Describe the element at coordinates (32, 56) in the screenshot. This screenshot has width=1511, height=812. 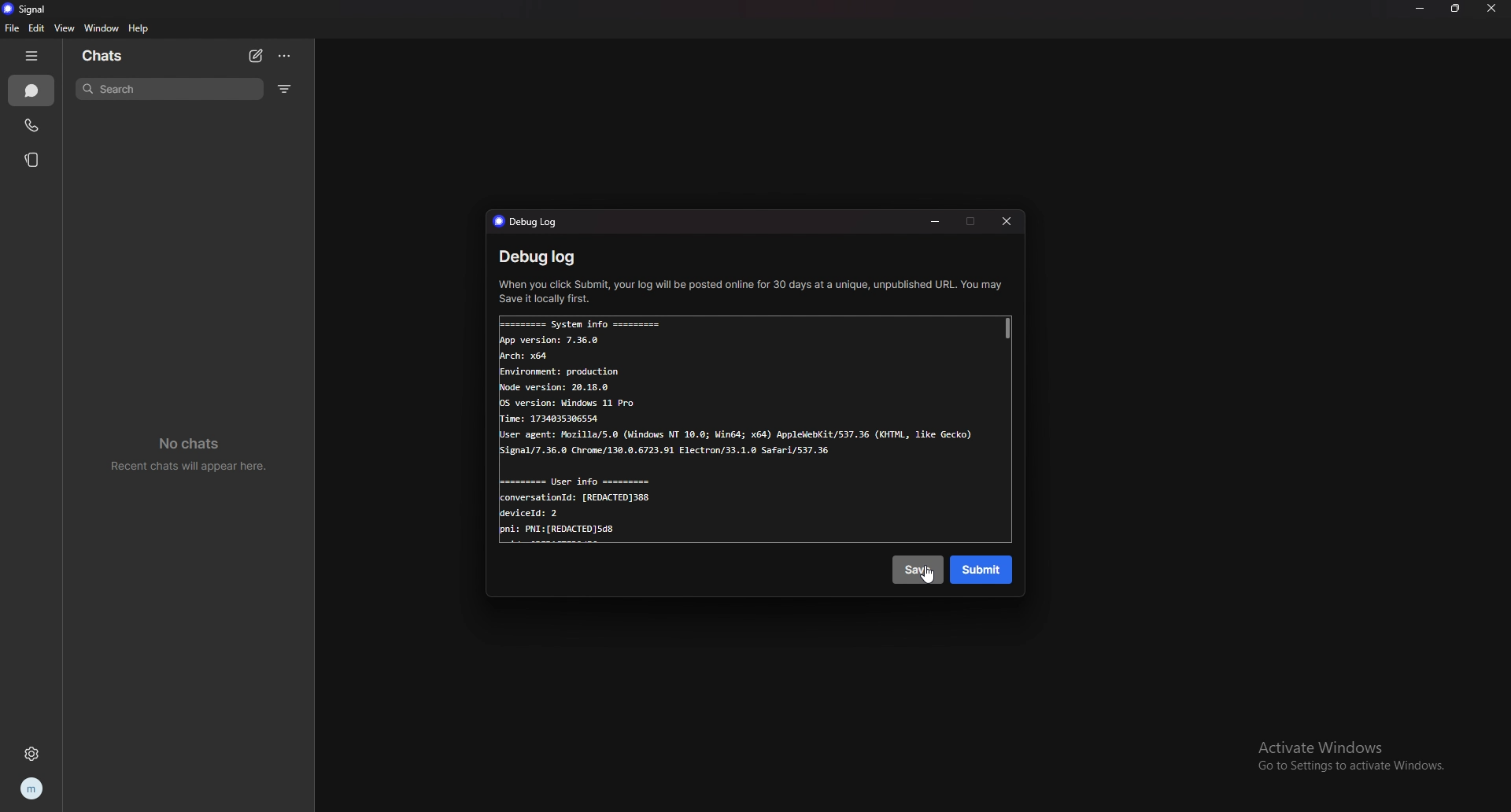
I see `hide tab` at that location.